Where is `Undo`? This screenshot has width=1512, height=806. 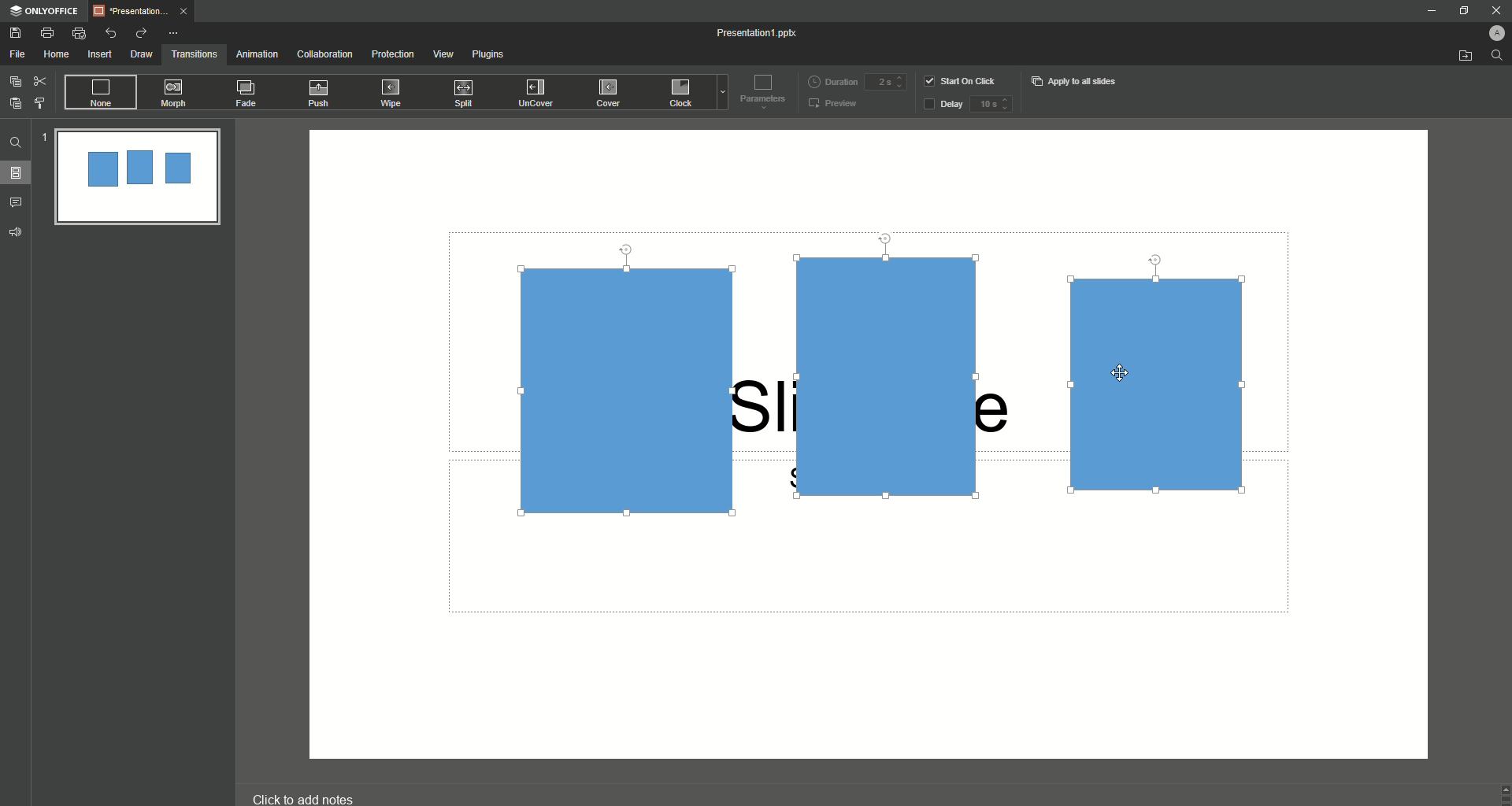 Undo is located at coordinates (112, 32).